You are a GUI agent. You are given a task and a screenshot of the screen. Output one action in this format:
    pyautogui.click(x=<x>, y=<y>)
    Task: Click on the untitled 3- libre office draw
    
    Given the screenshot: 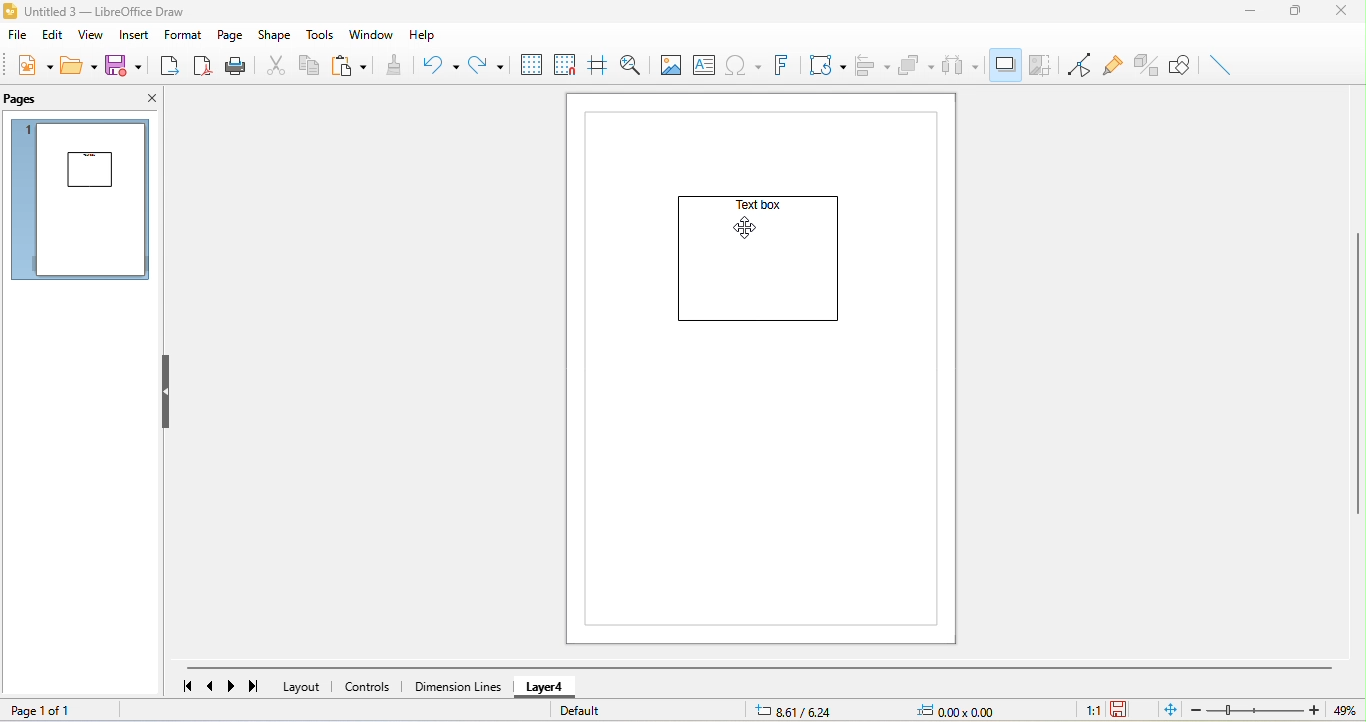 What is the action you would take?
    pyautogui.click(x=111, y=10)
    